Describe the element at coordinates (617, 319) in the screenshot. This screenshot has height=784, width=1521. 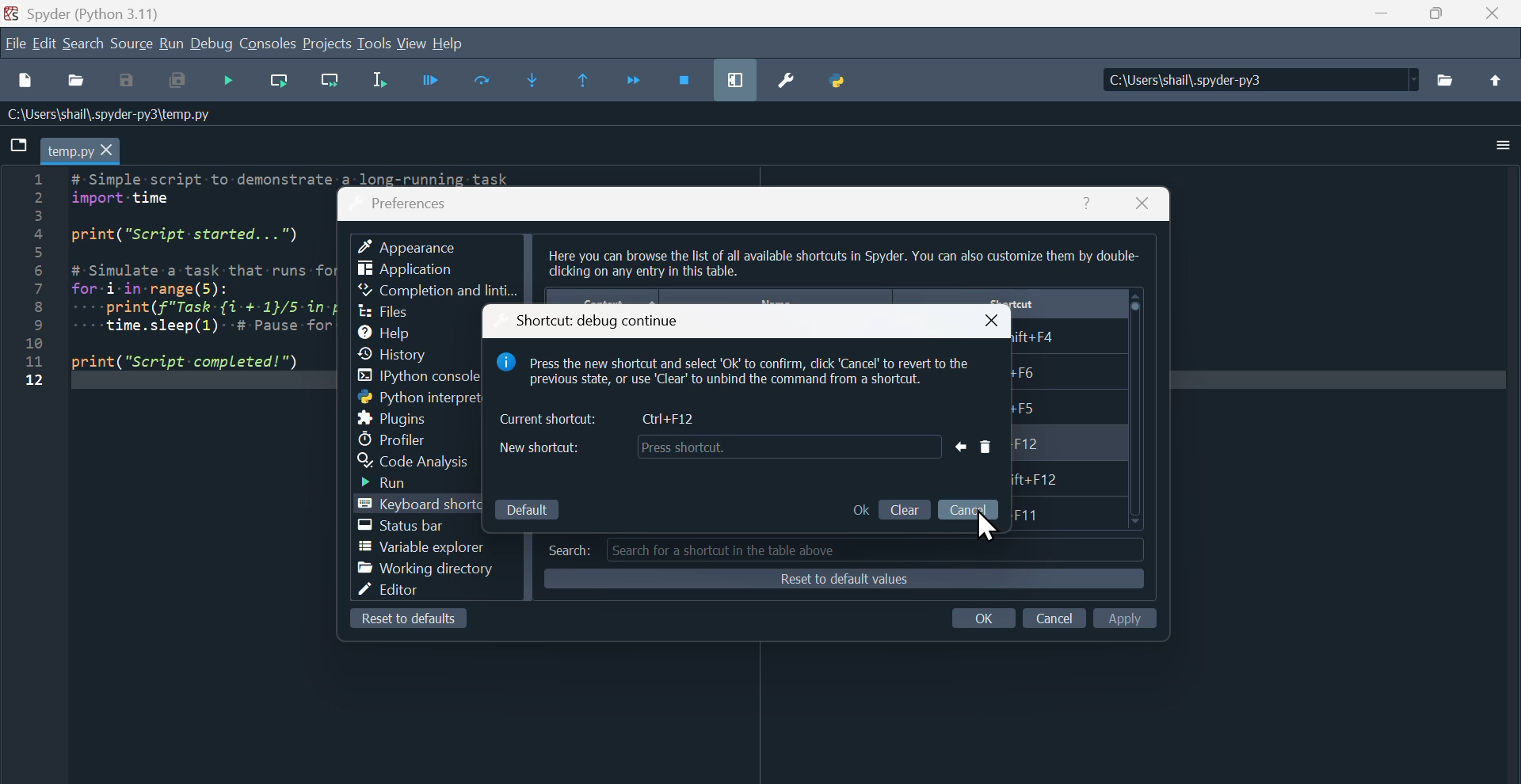
I see `Shortcut debug continue` at that location.